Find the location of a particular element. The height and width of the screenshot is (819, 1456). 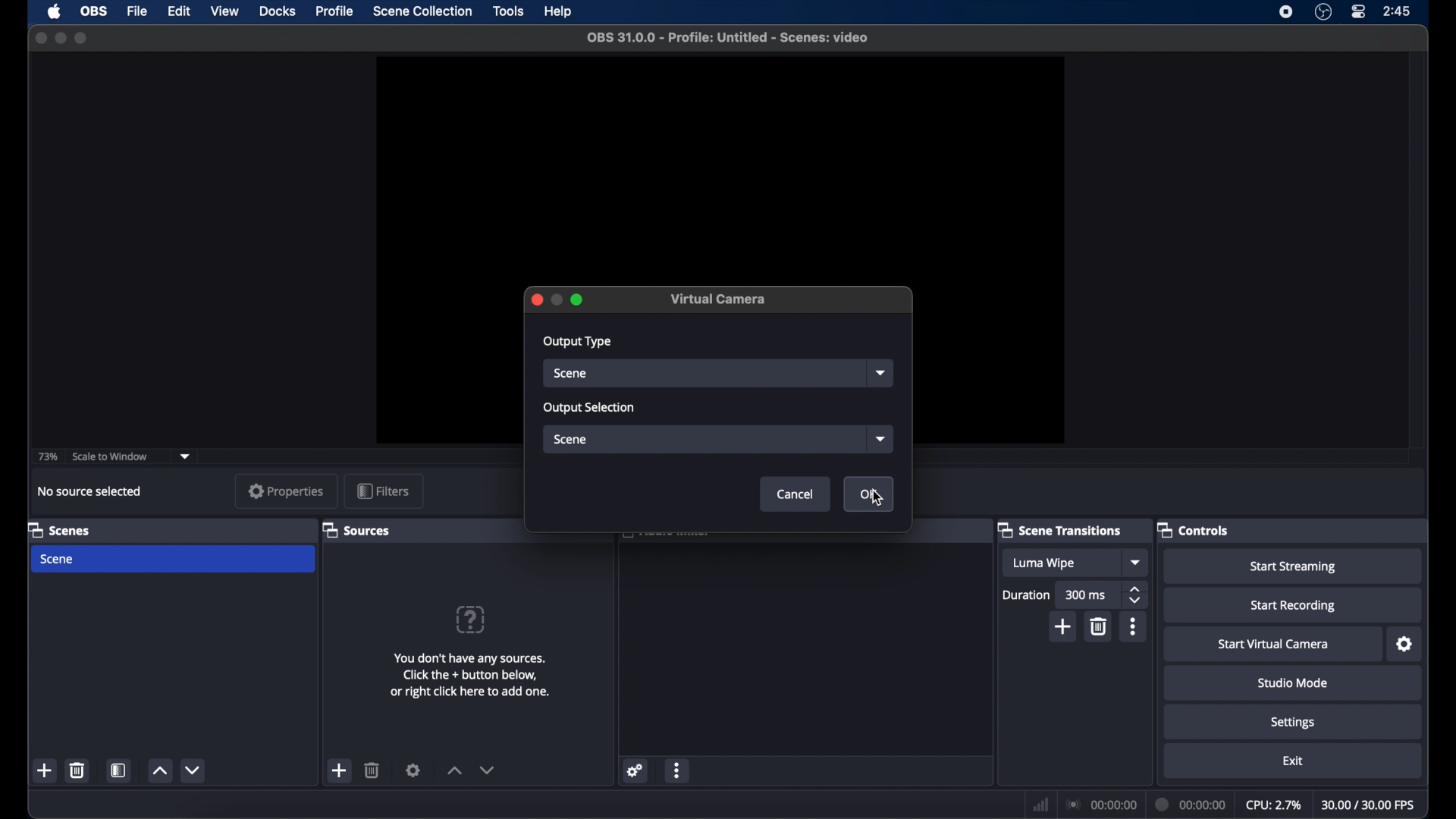

minimize is located at coordinates (61, 39).